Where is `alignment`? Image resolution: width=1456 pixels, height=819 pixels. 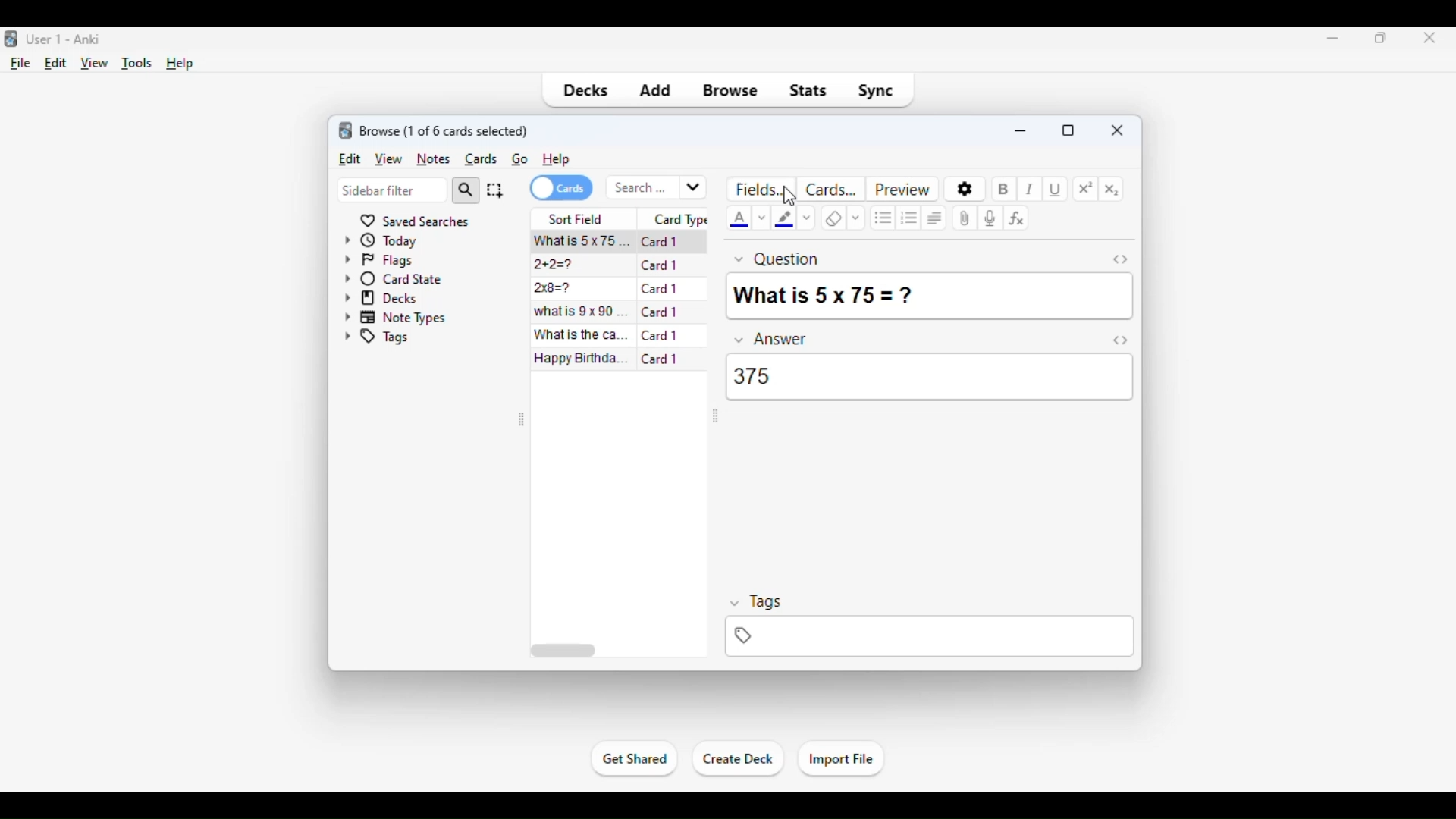
alignment is located at coordinates (937, 217).